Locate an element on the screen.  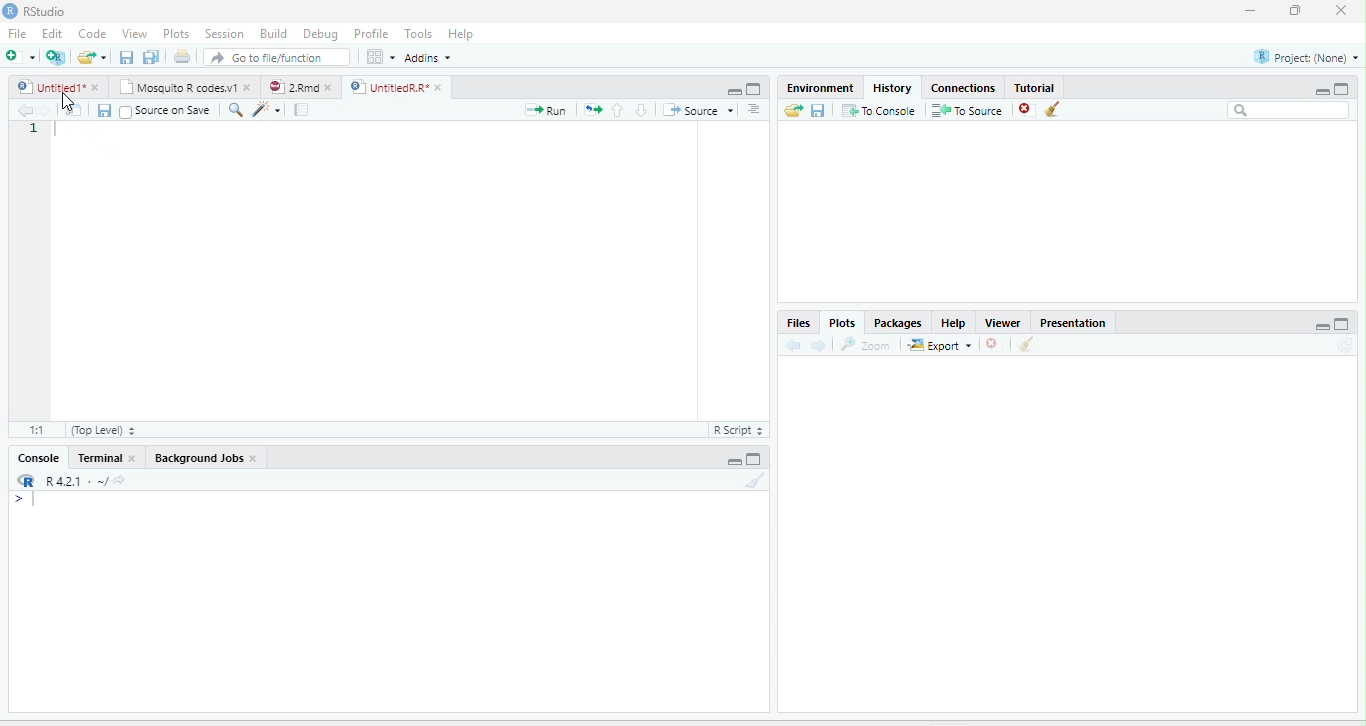
Source on Save is located at coordinates (165, 110).